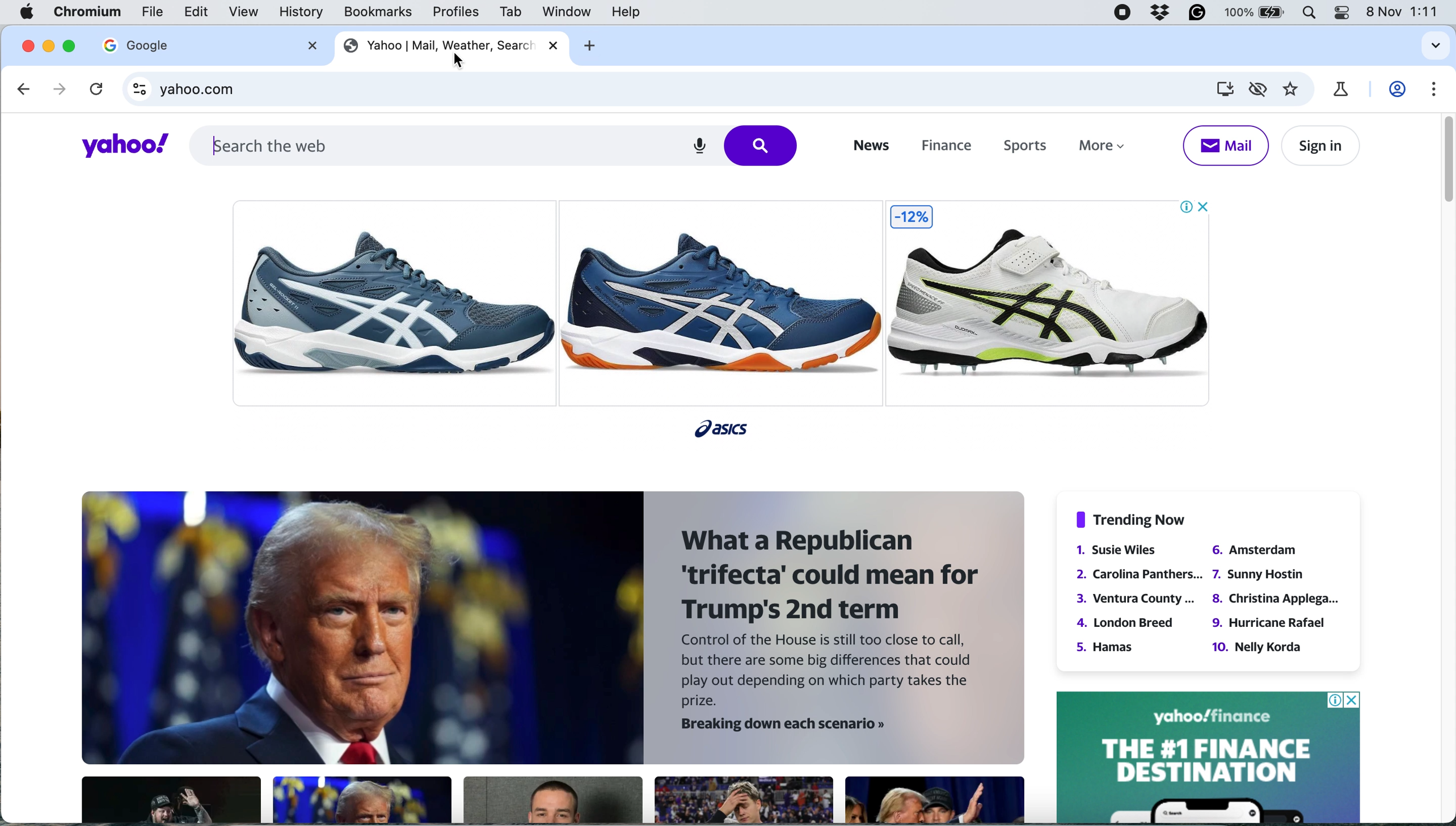 The image size is (1456, 826). Describe the element at coordinates (378, 12) in the screenshot. I see `bookmarks` at that location.